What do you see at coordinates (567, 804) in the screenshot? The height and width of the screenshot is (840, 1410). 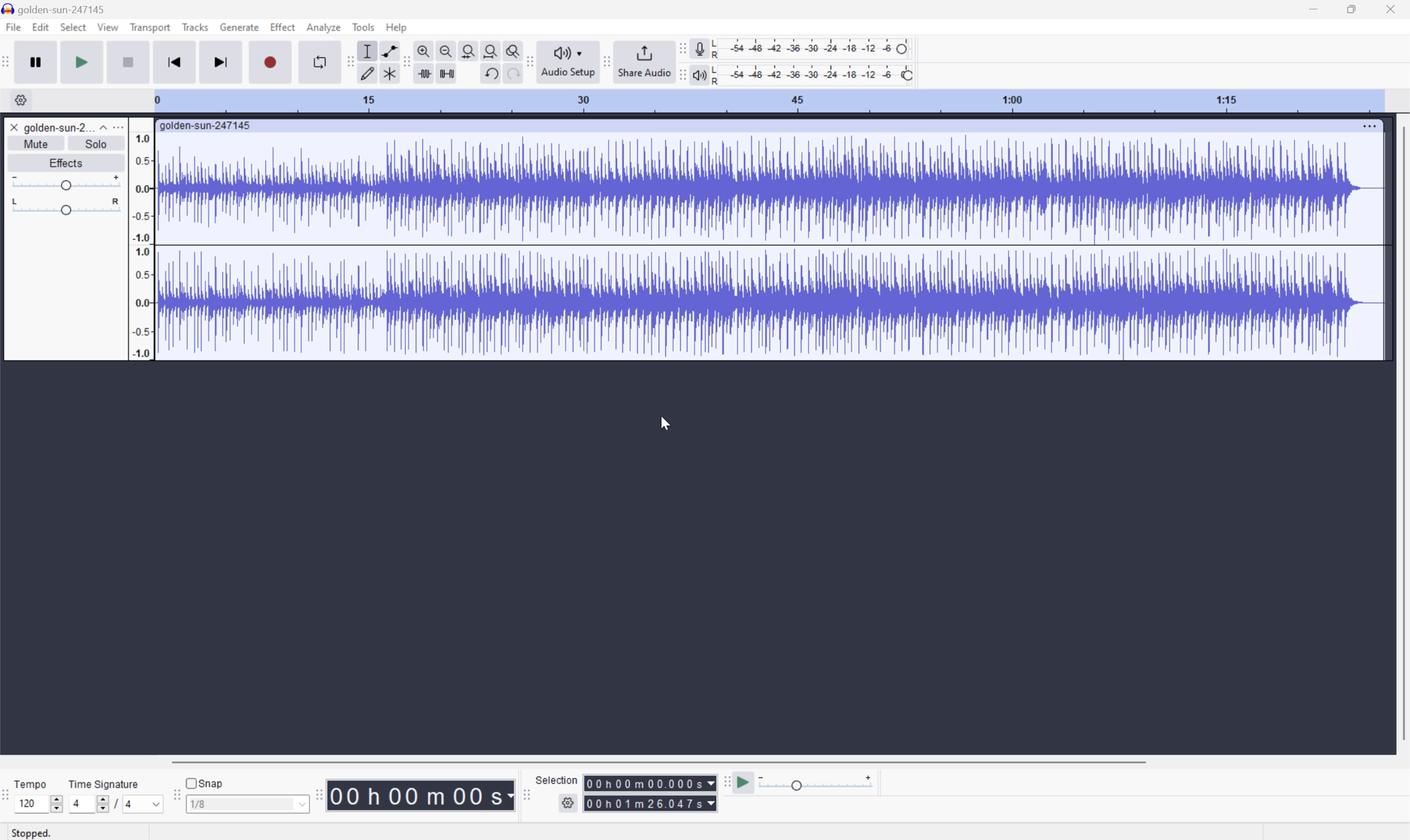 I see `Settings` at bounding box center [567, 804].